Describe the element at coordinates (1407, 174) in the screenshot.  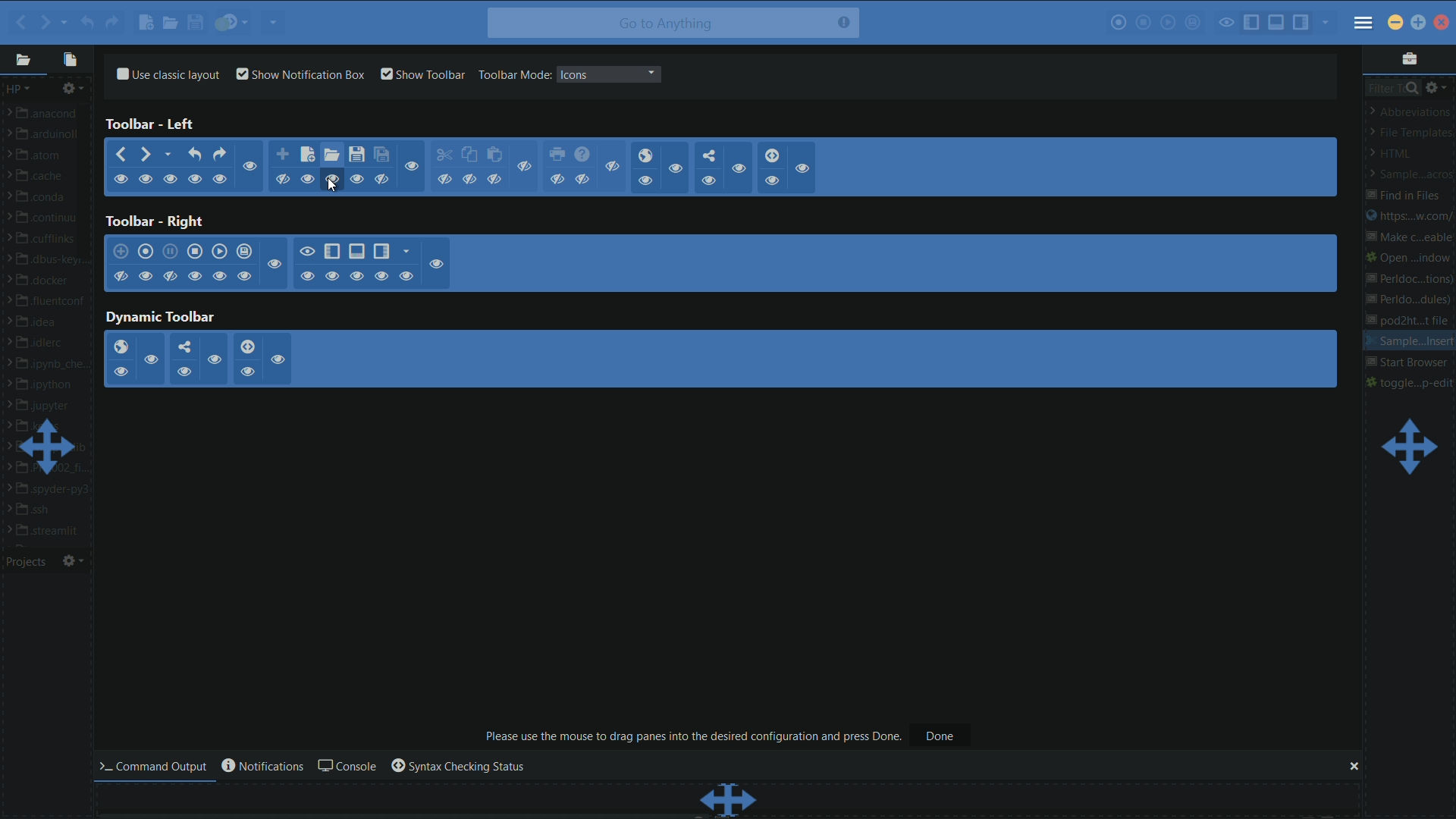
I see `sample ...across` at that location.